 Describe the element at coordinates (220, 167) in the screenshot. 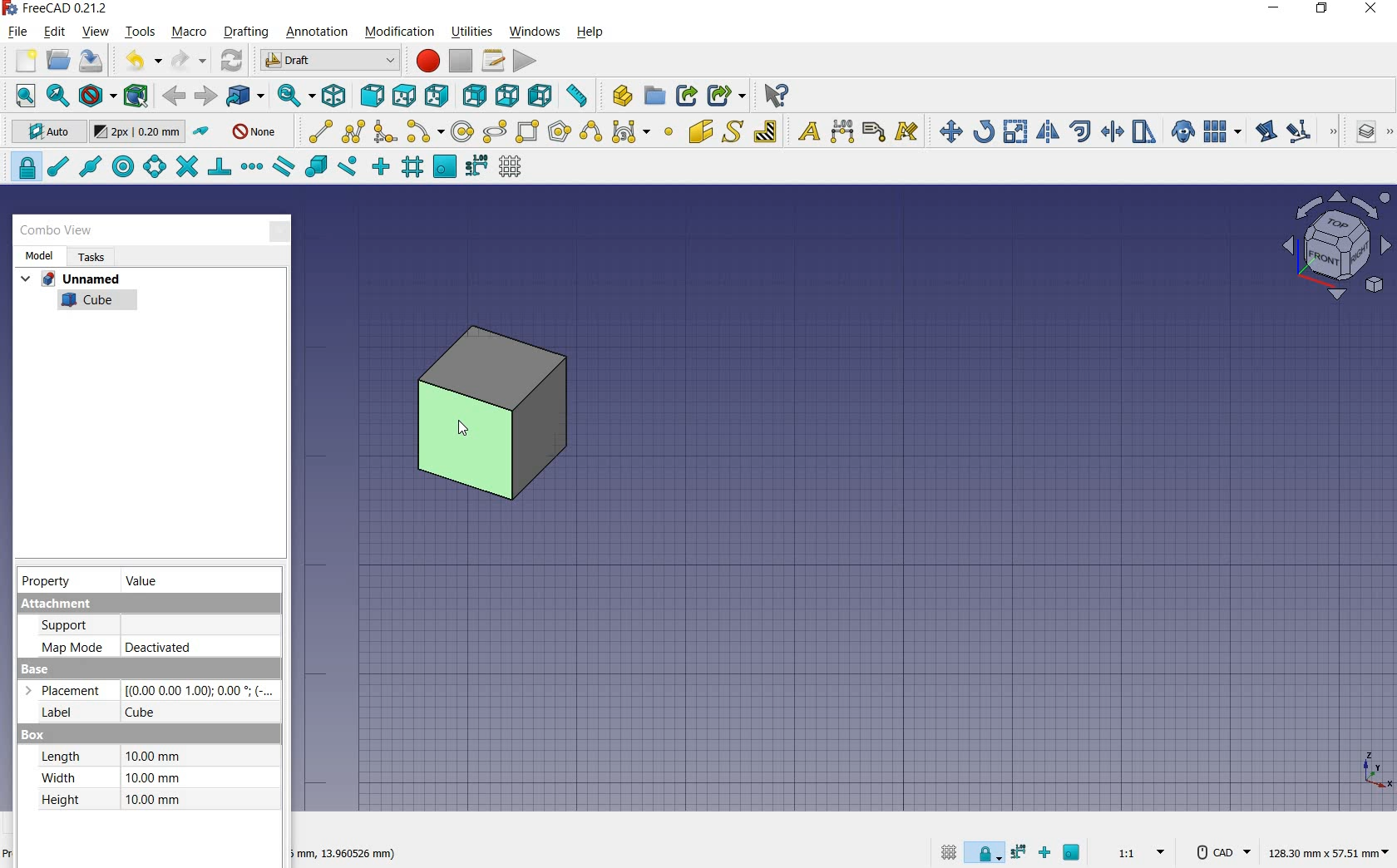

I see `snap perpendicular` at that location.